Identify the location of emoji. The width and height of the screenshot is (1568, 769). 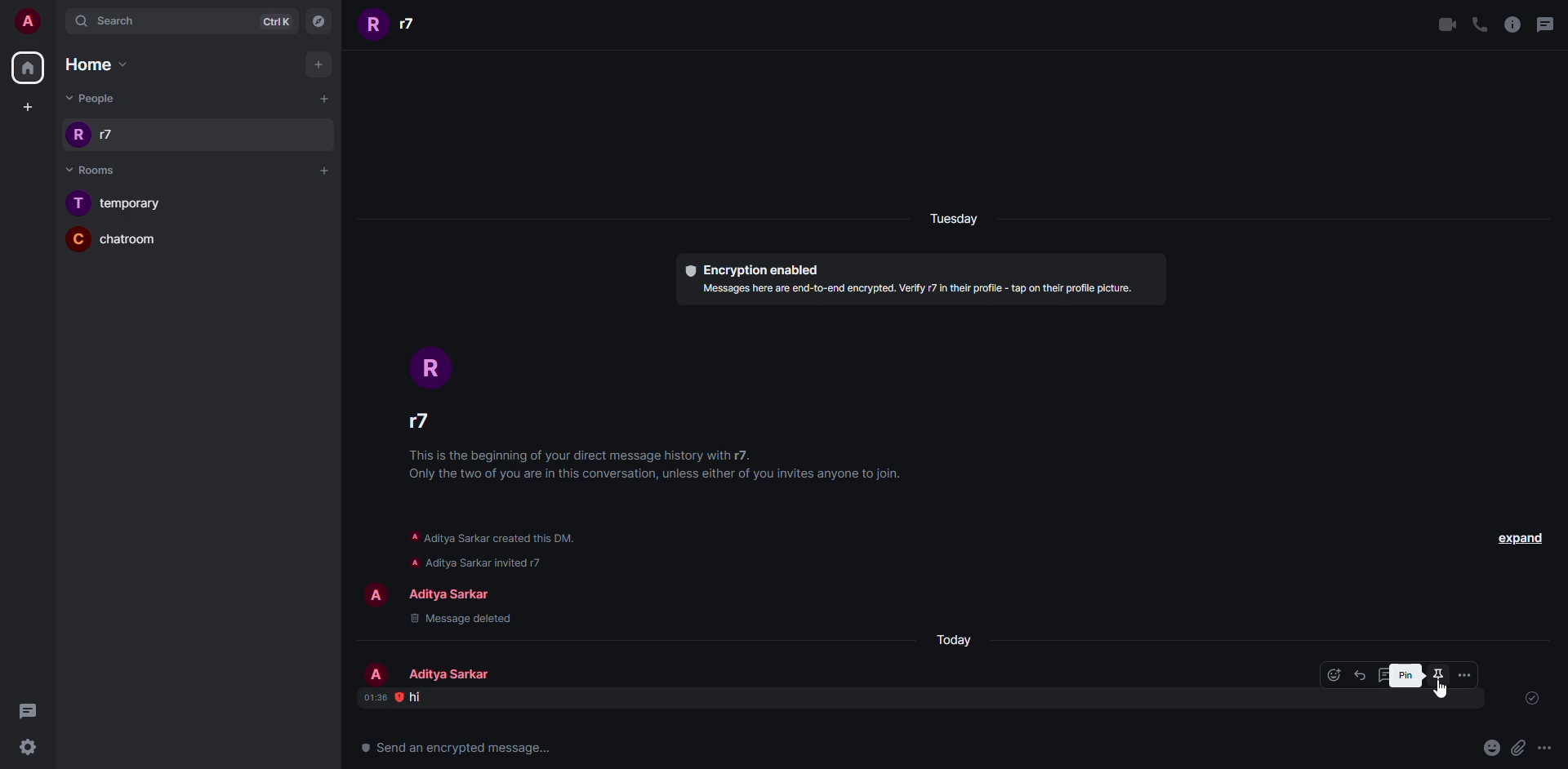
(1333, 675).